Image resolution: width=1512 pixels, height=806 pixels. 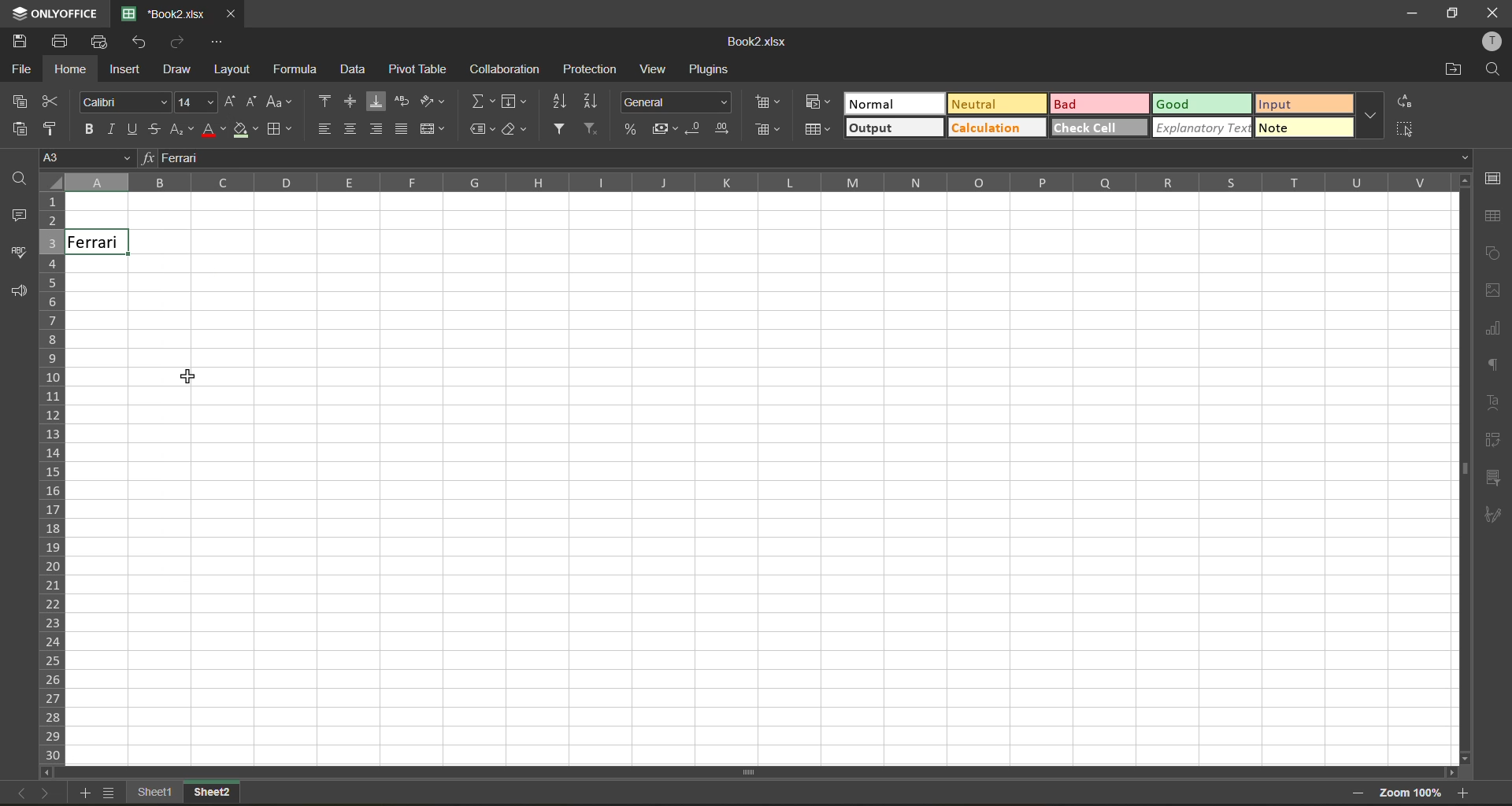 What do you see at coordinates (177, 70) in the screenshot?
I see `draw` at bounding box center [177, 70].